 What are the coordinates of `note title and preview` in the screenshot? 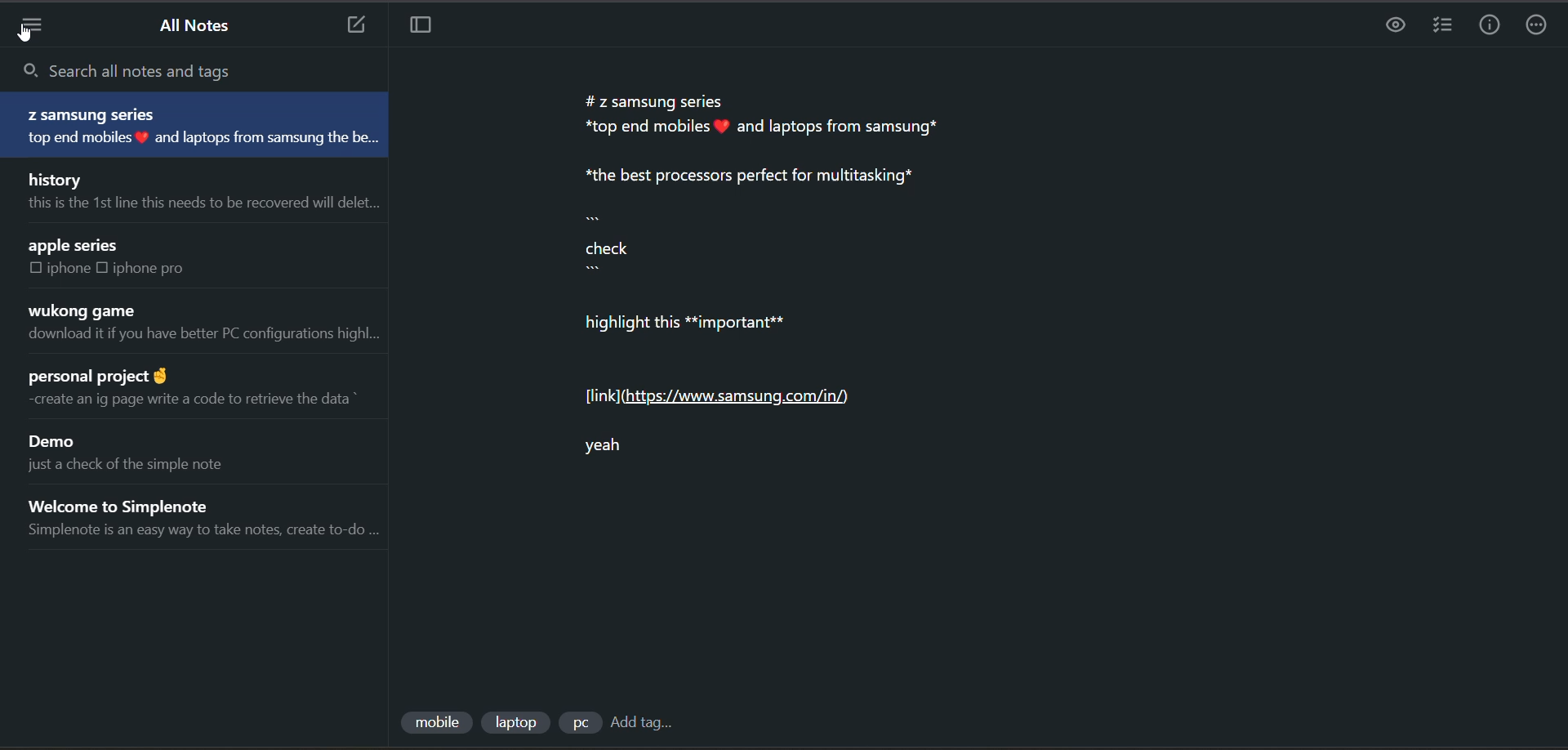 It's located at (195, 391).